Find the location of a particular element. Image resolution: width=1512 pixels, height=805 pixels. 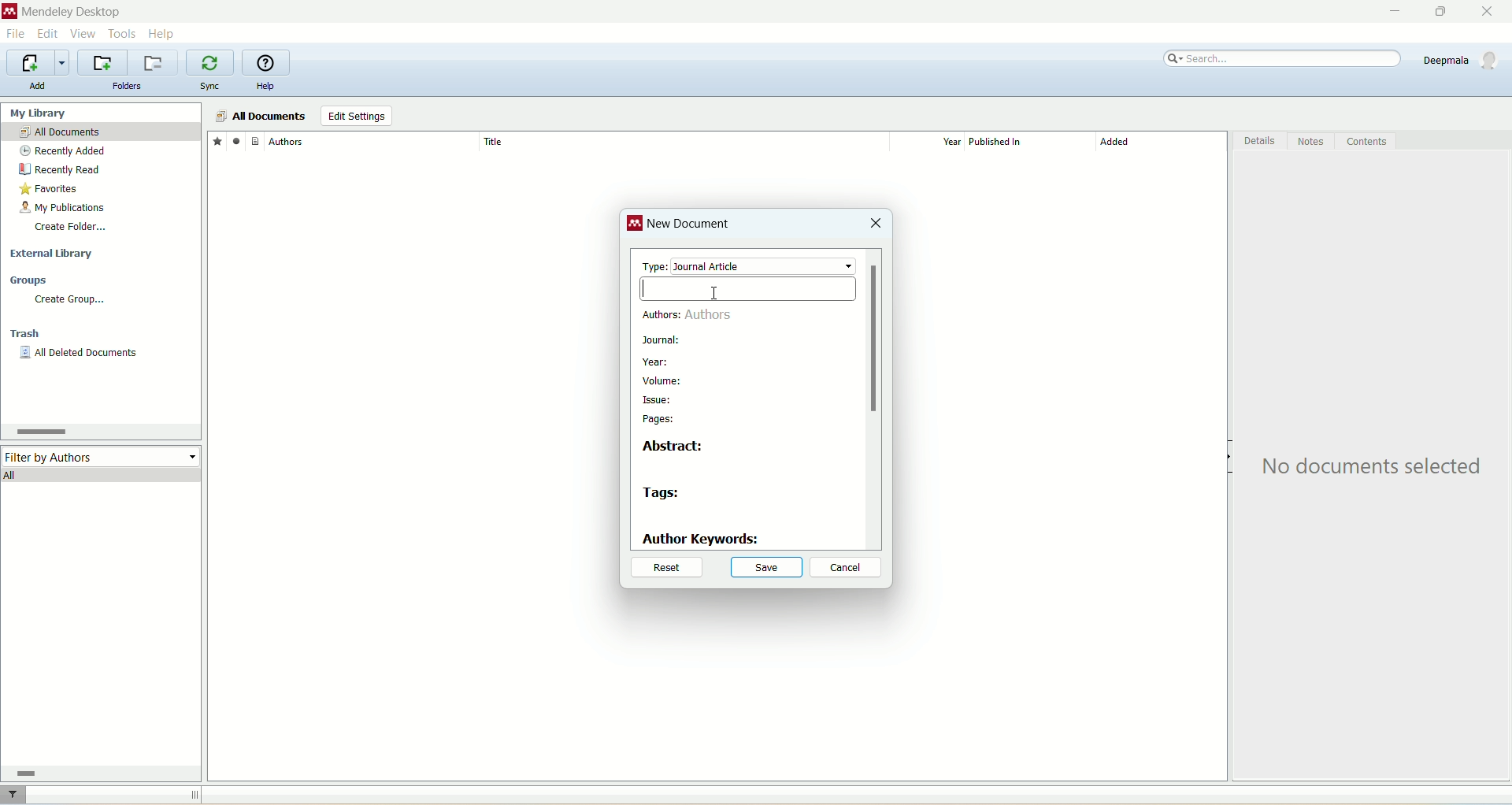

account is located at coordinates (1463, 60).